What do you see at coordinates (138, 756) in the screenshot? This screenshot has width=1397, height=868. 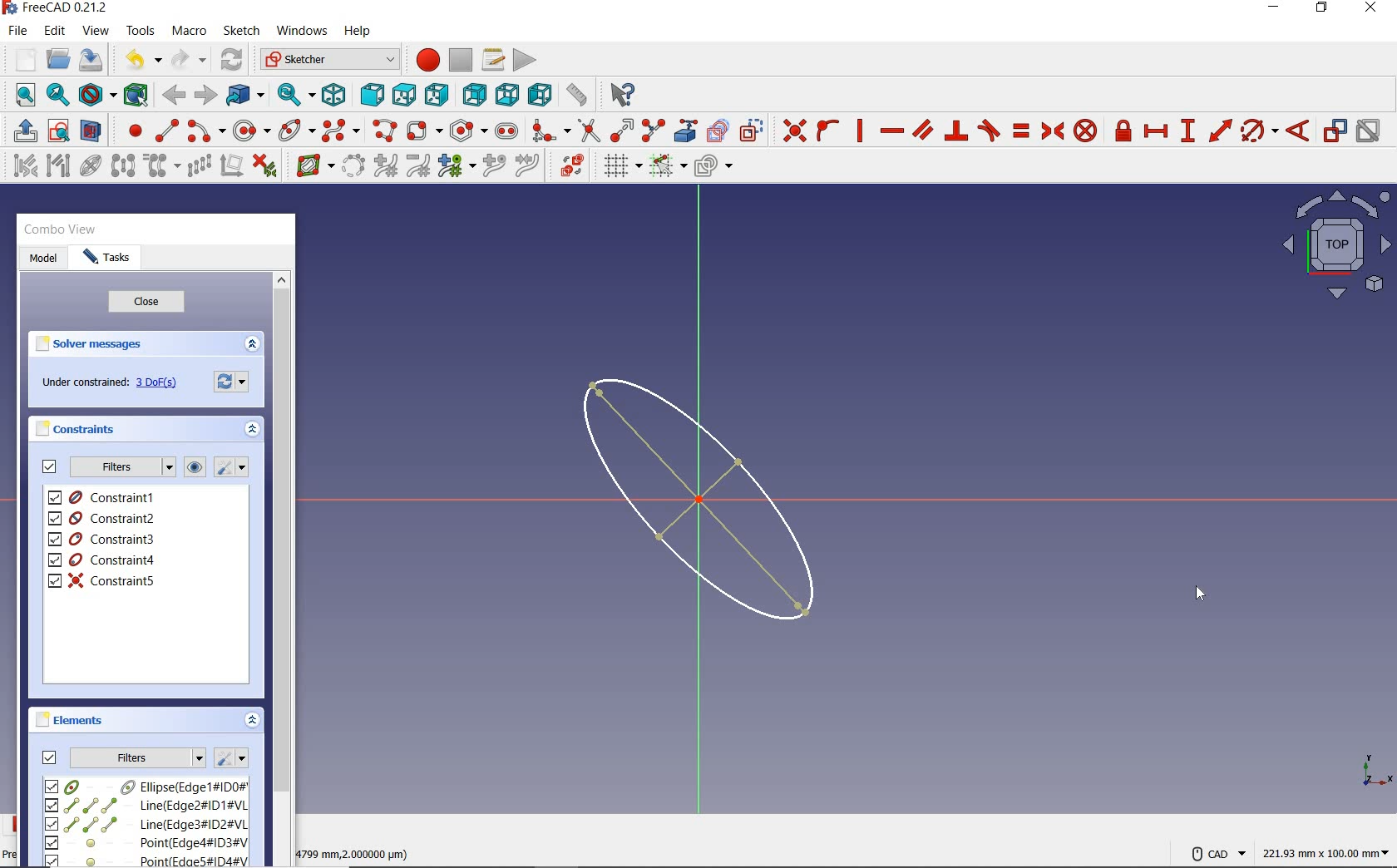 I see `filters` at bounding box center [138, 756].